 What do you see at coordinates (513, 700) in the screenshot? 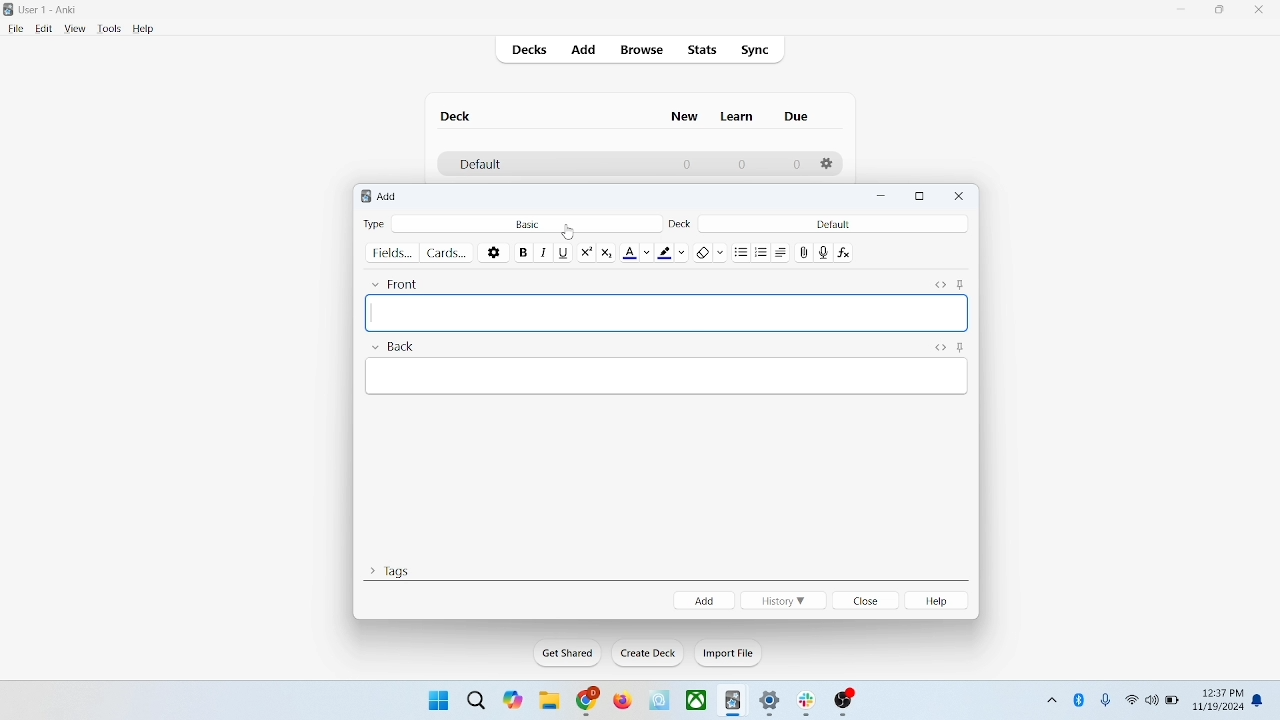
I see `themes` at bounding box center [513, 700].